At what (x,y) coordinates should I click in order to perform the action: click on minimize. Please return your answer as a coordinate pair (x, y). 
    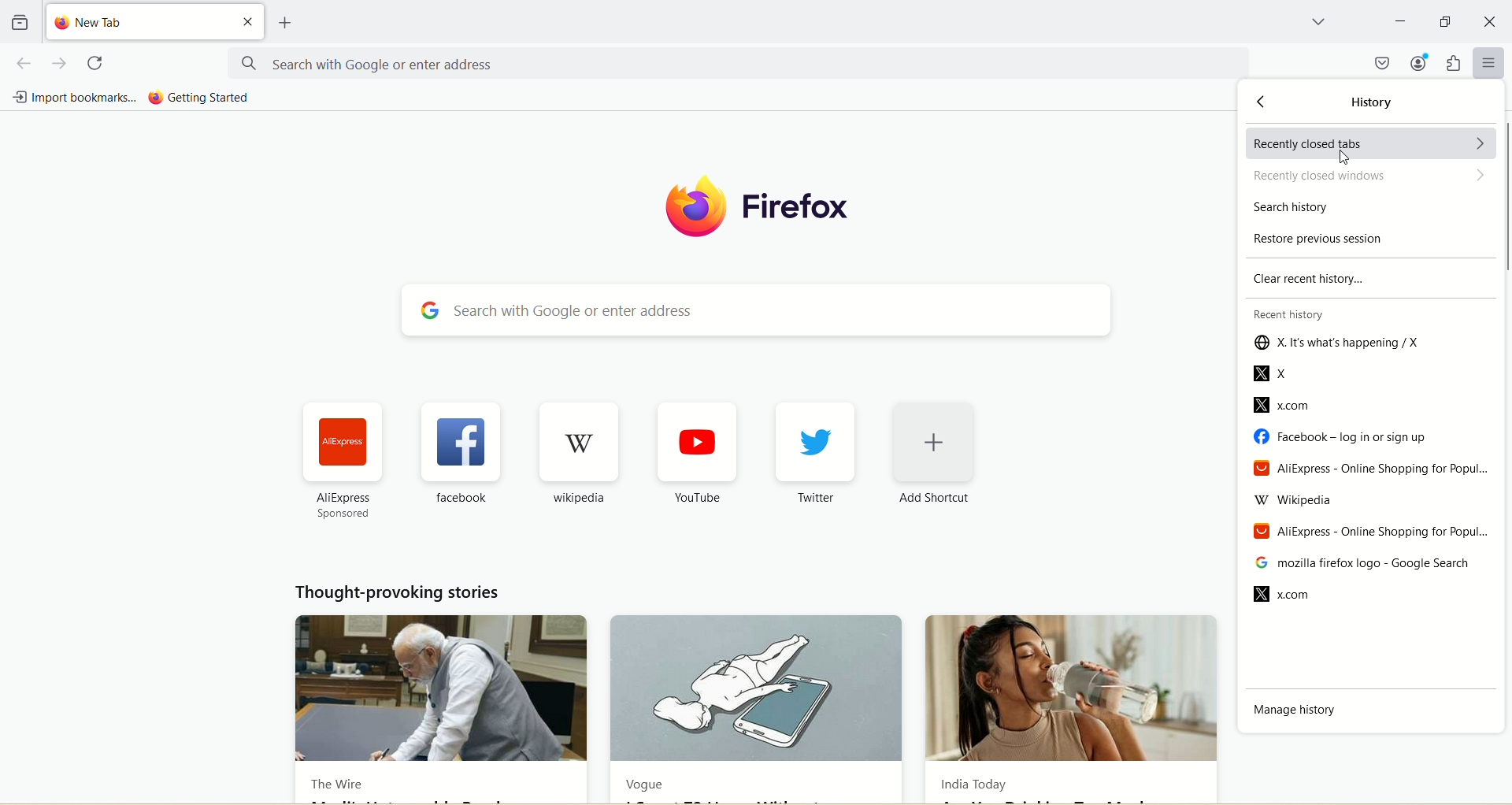
    Looking at the image, I should click on (1399, 20).